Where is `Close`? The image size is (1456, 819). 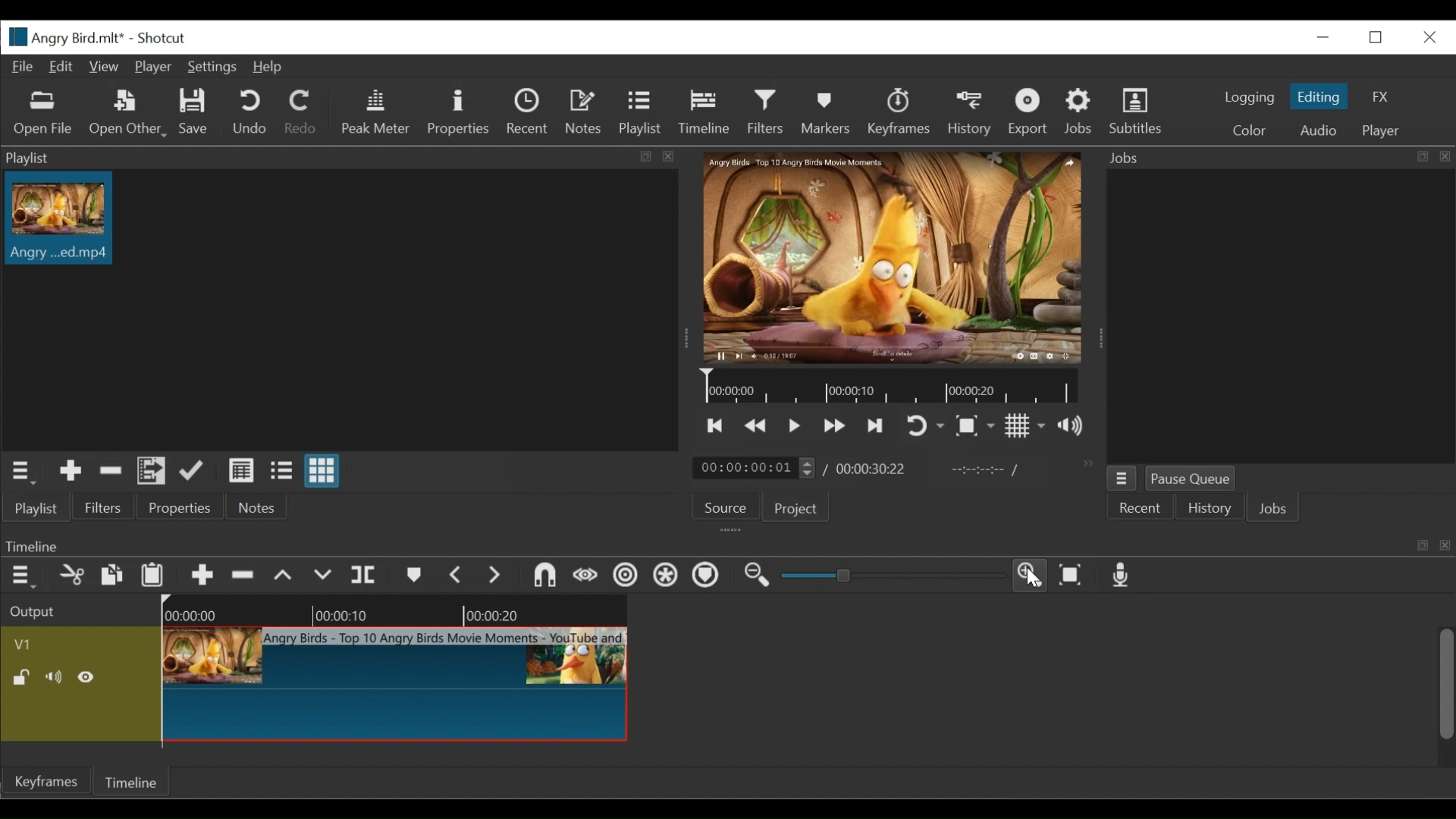
Close is located at coordinates (1427, 36).